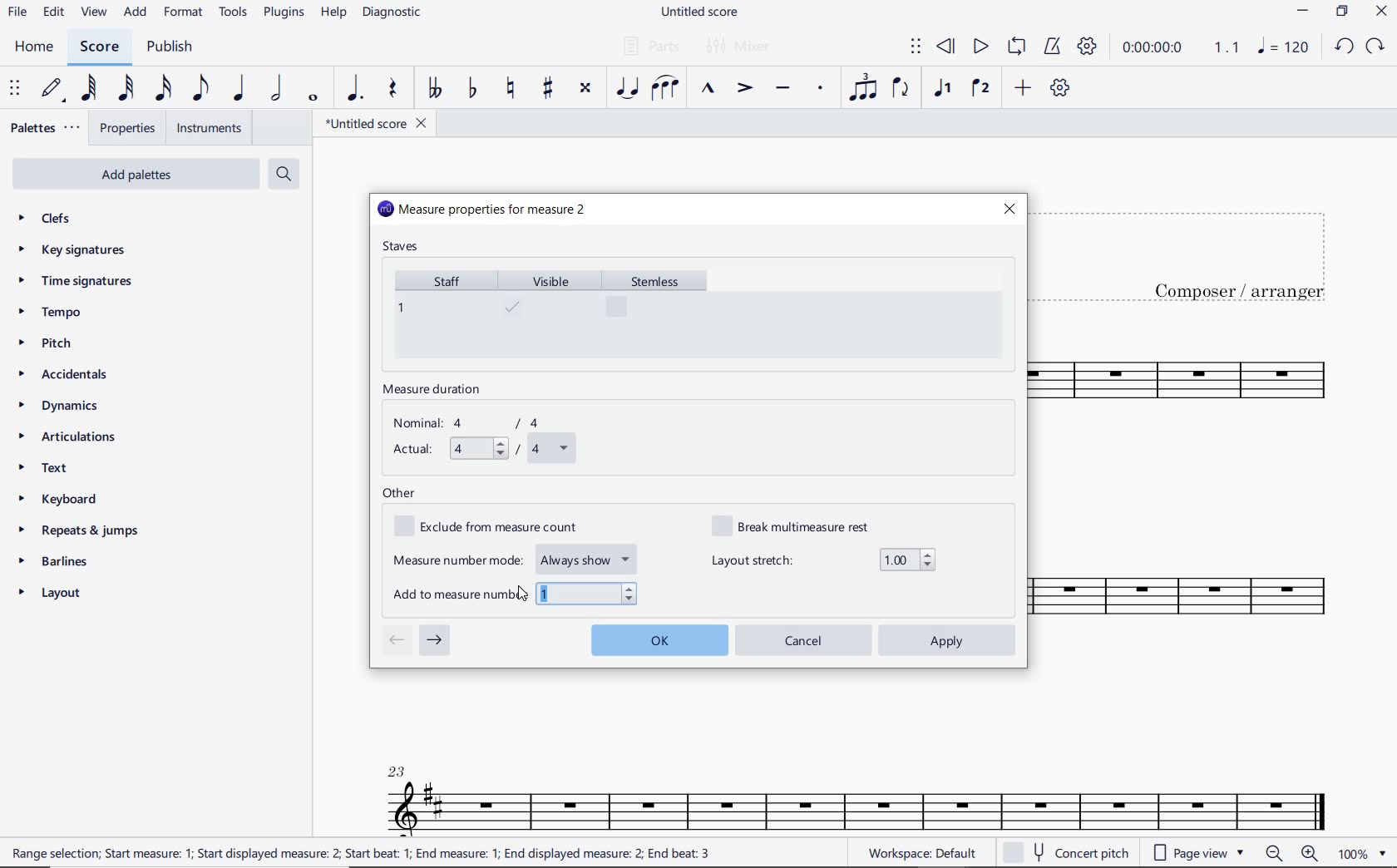 The image size is (1397, 868). I want to click on CLOSE, so click(1381, 13).